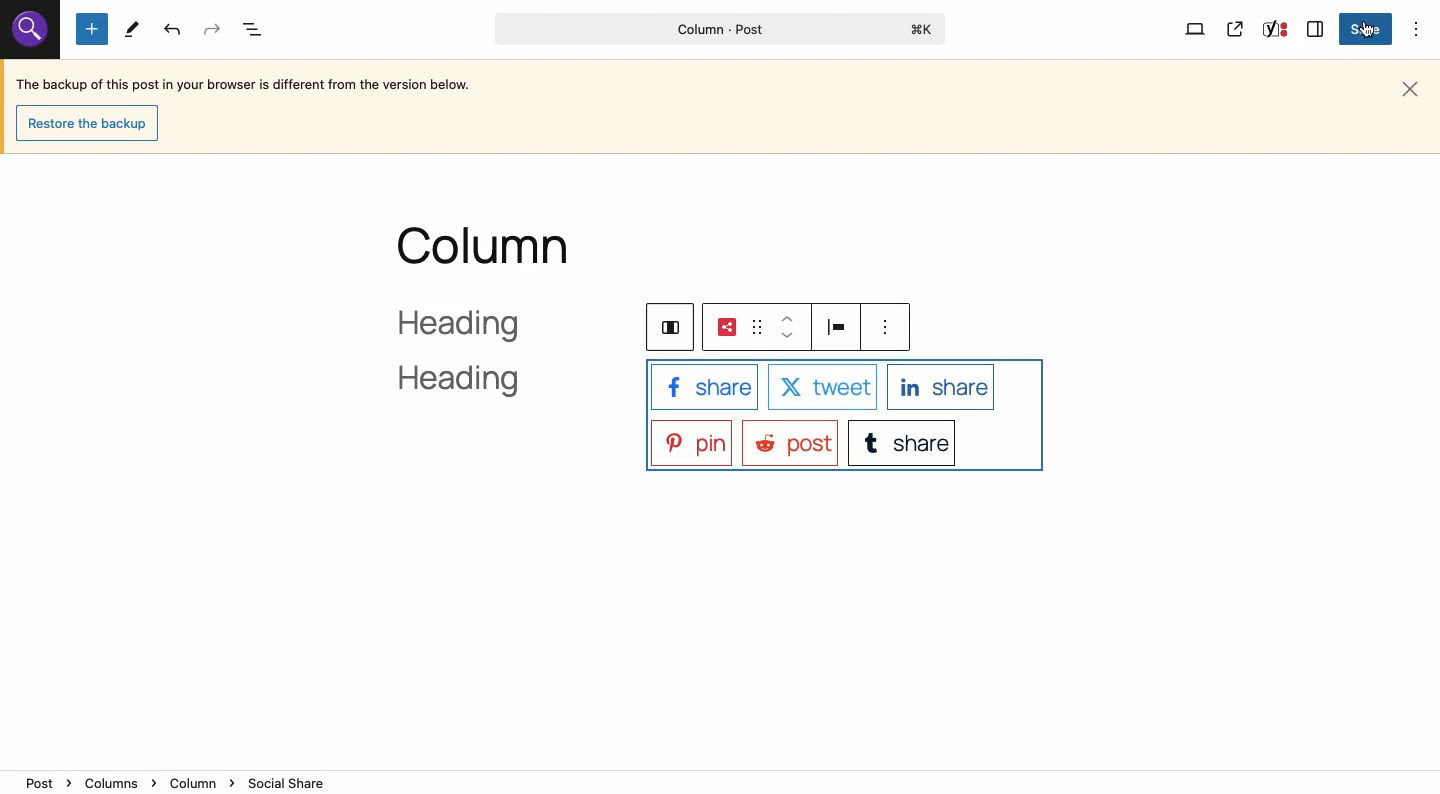 The image size is (1440, 794). I want to click on Options, so click(1418, 28).